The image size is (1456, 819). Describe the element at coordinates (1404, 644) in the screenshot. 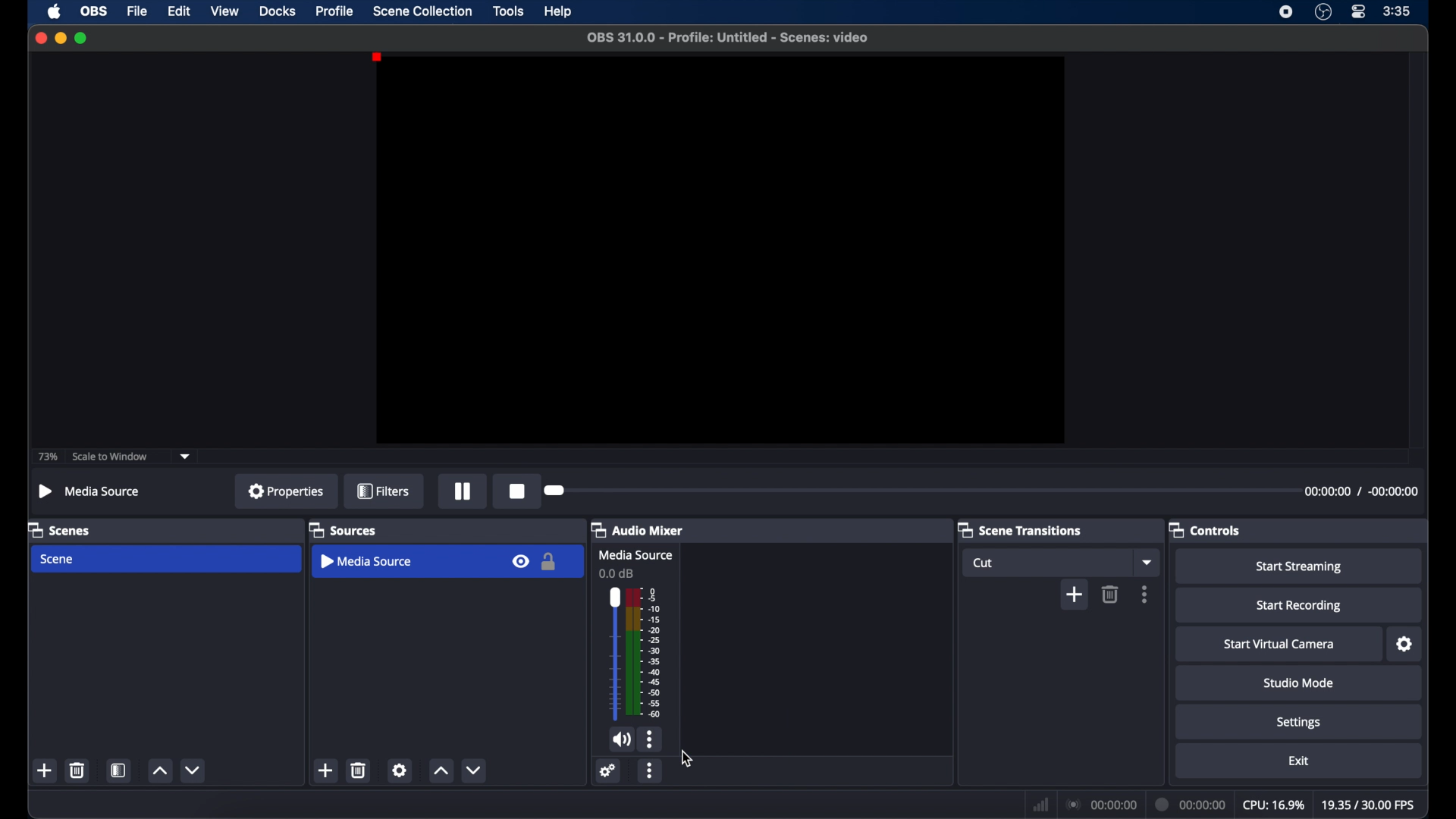

I see `settings` at that location.